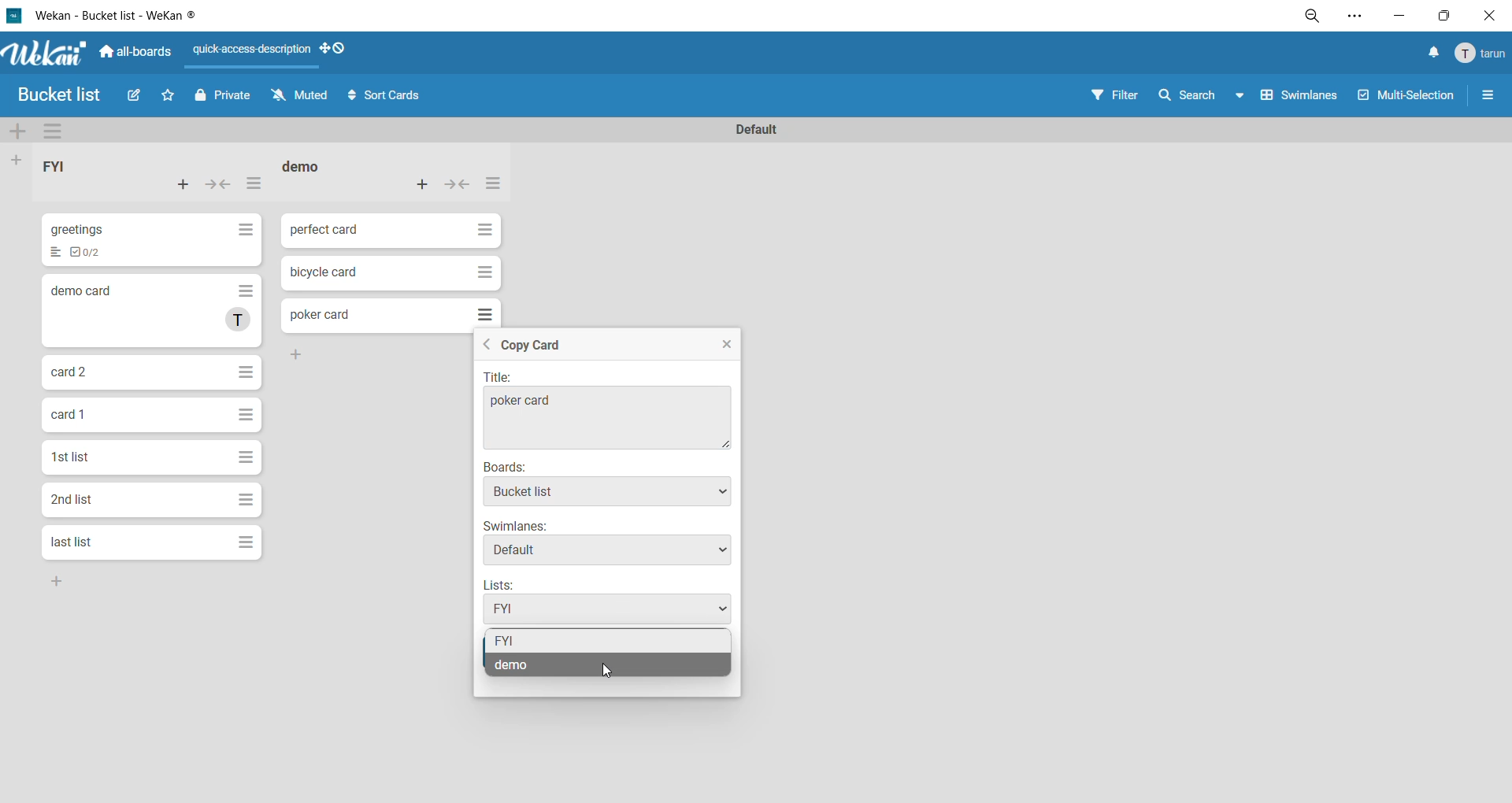  Describe the element at coordinates (608, 419) in the screenshot. I see `poker card` at that location.